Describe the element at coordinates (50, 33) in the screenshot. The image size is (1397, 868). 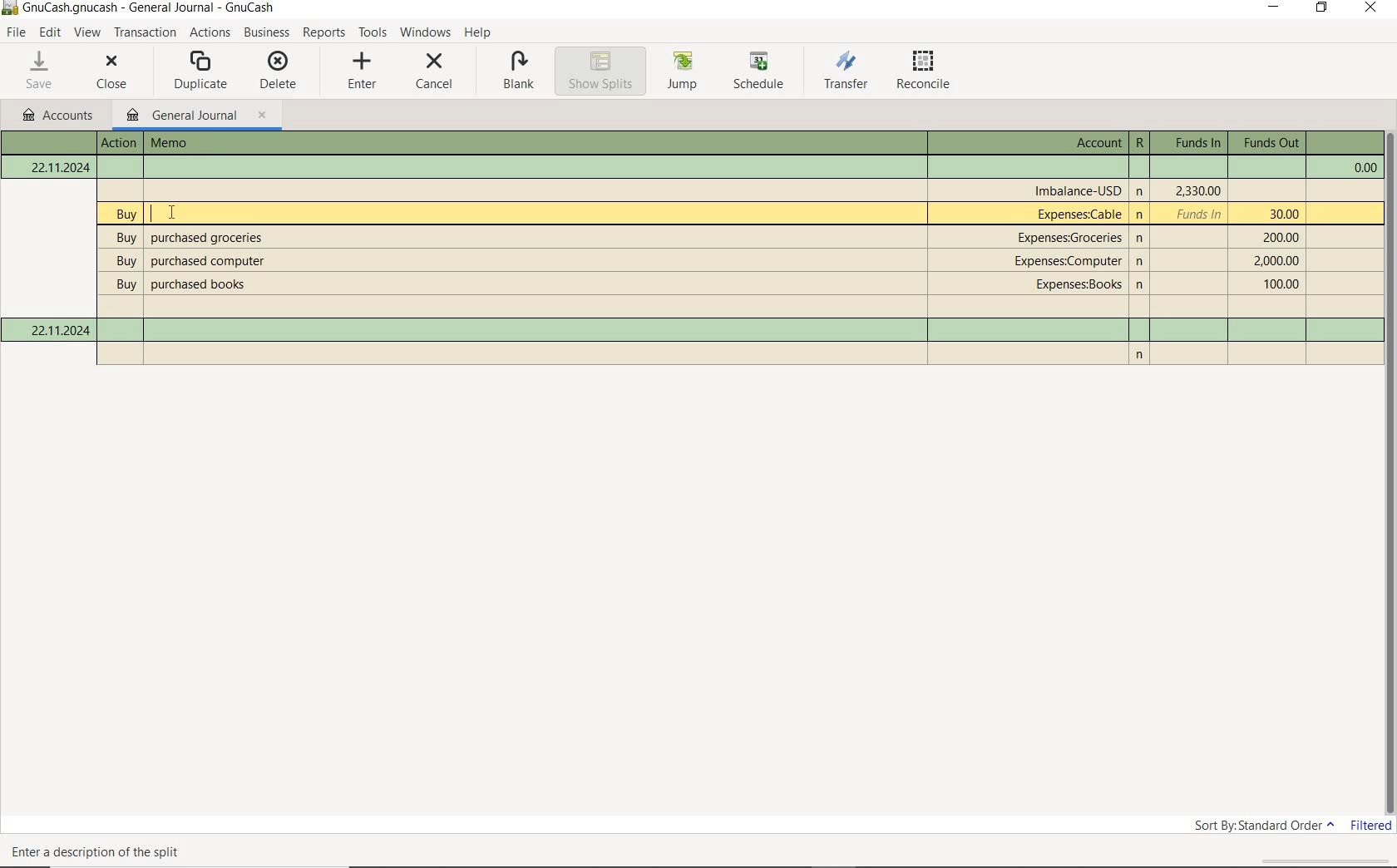
I see `EDIT` at that location.